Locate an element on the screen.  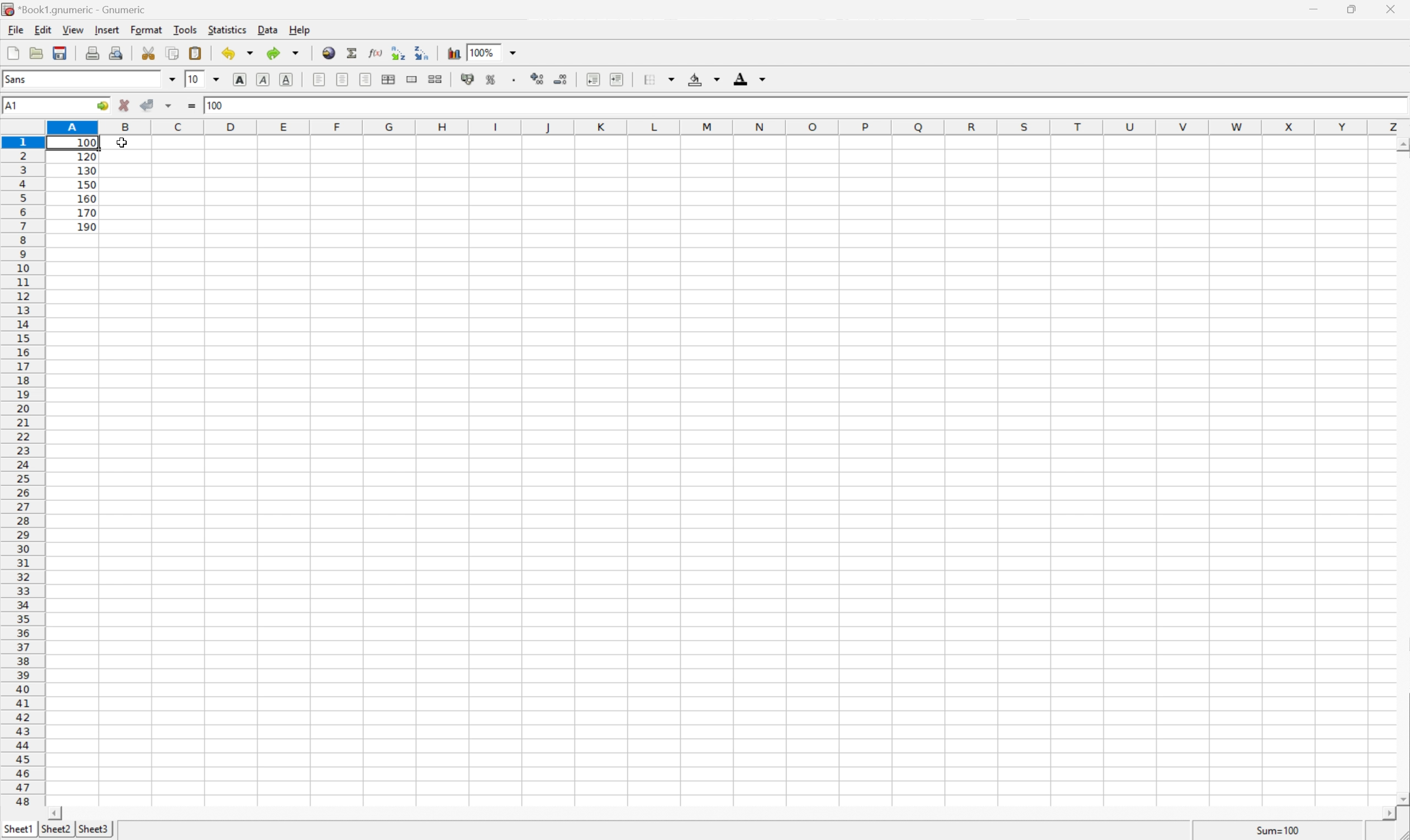
Sheet2 is located at coordinates (57, 829).